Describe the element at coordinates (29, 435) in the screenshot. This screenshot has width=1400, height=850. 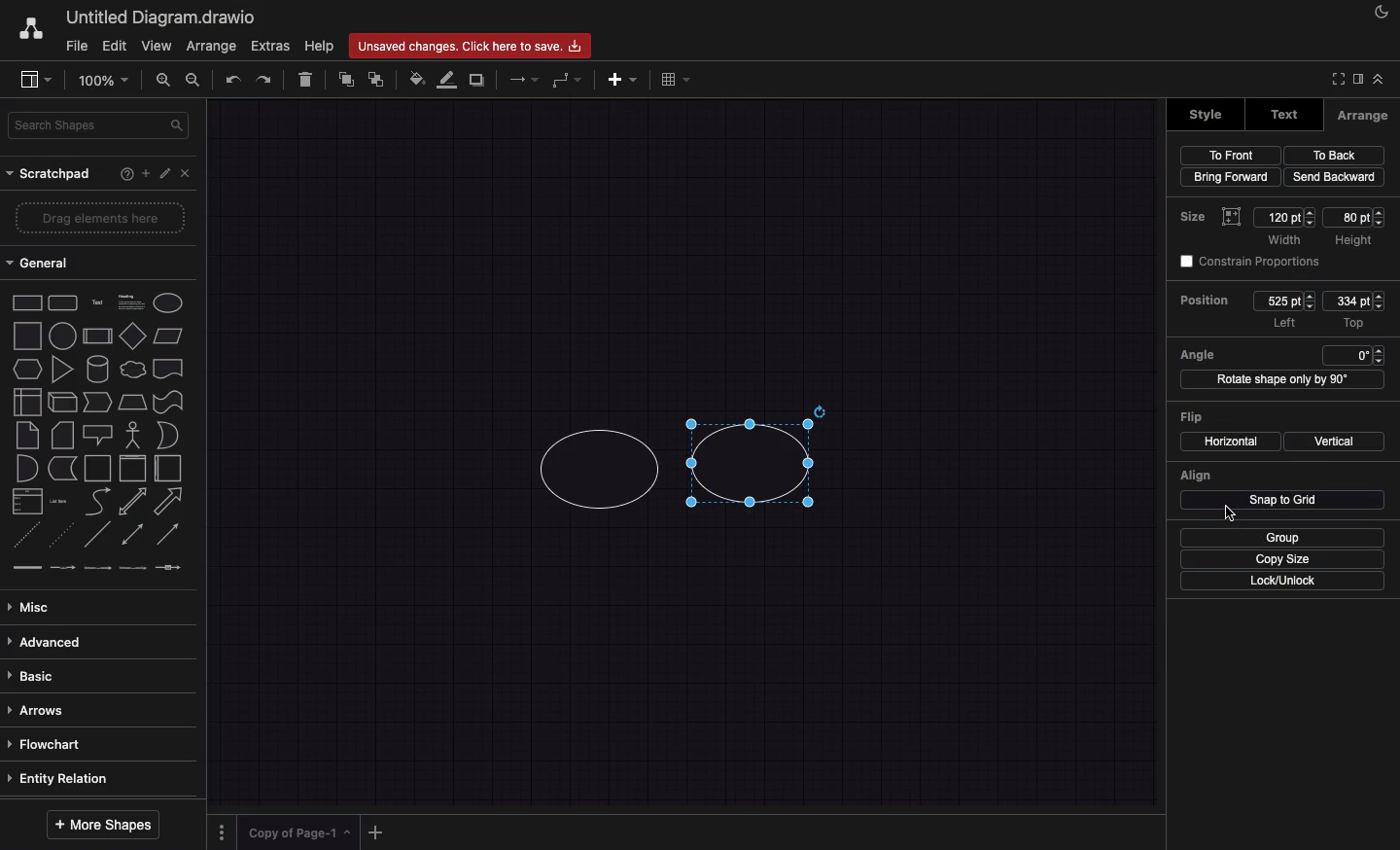
I see `note` at that location.